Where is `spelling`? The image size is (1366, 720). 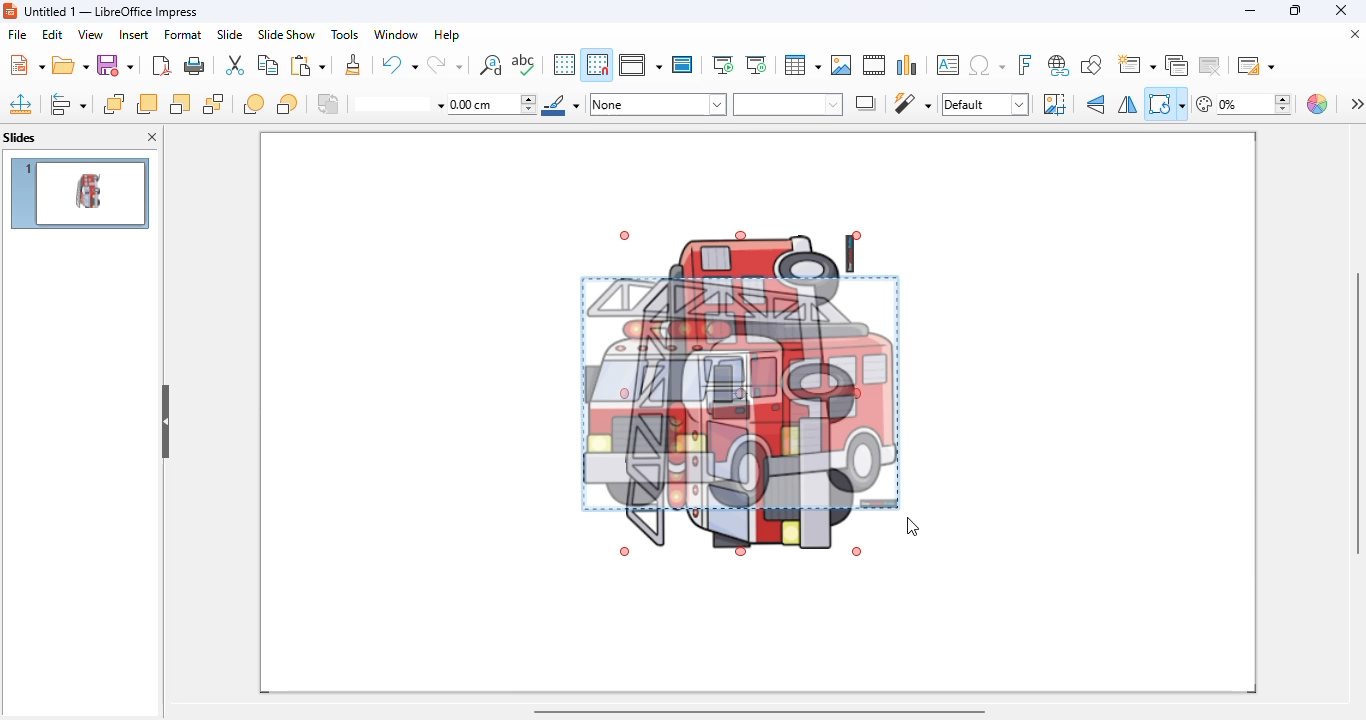 spelling is located at coordinates (524, 65).